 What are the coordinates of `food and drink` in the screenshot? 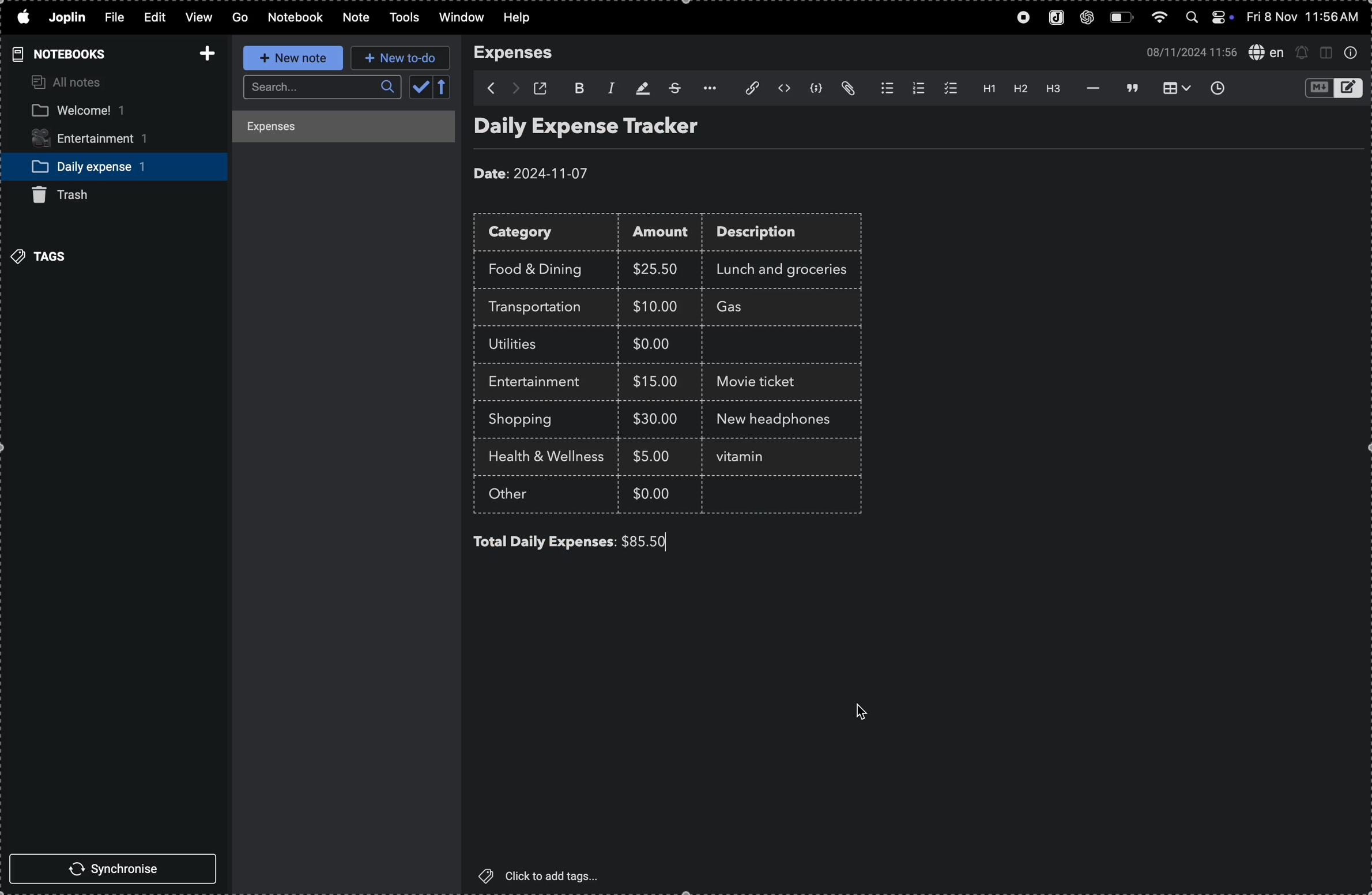 It's located at (541, 267).